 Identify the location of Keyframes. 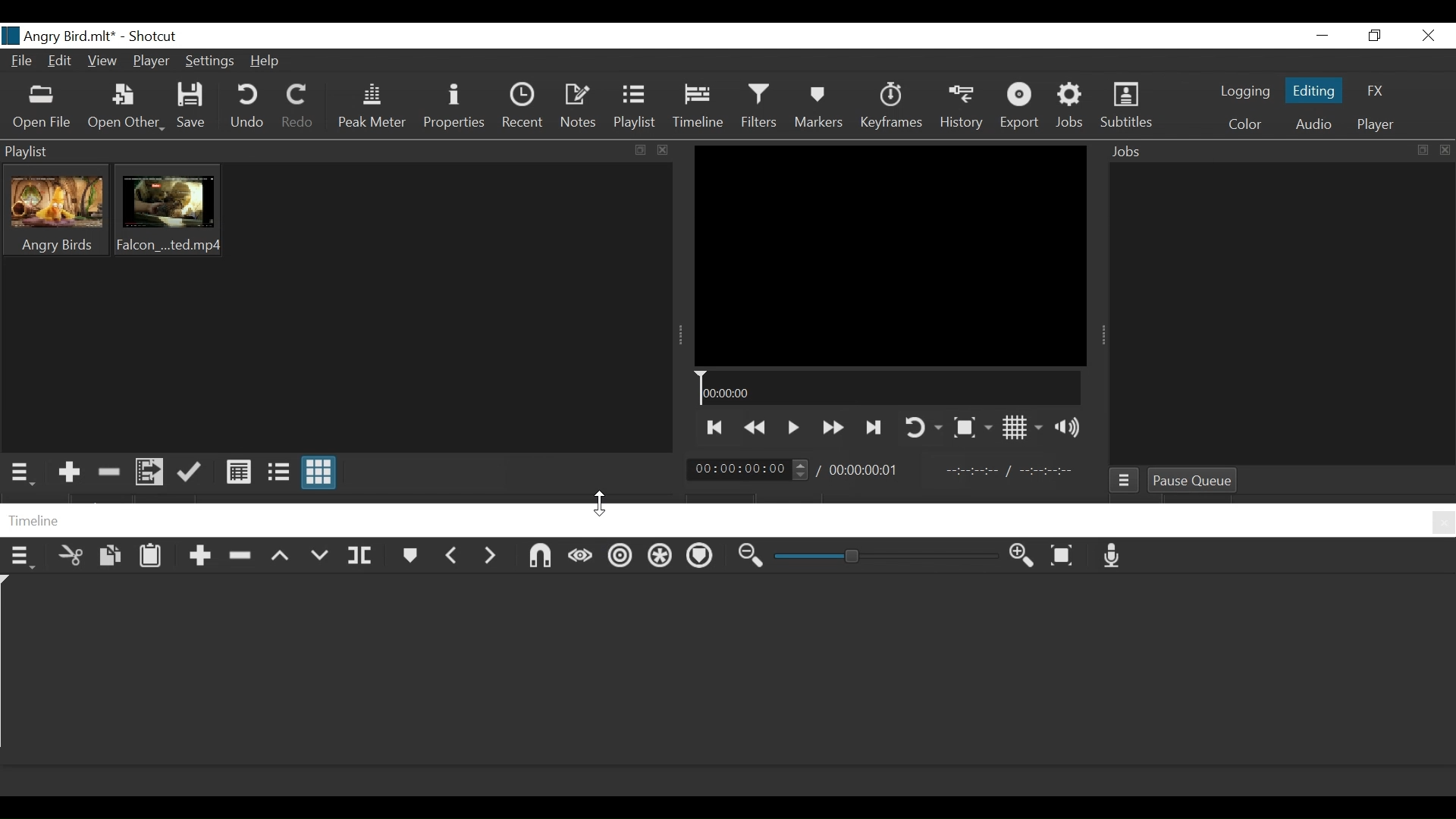
(890, 106).